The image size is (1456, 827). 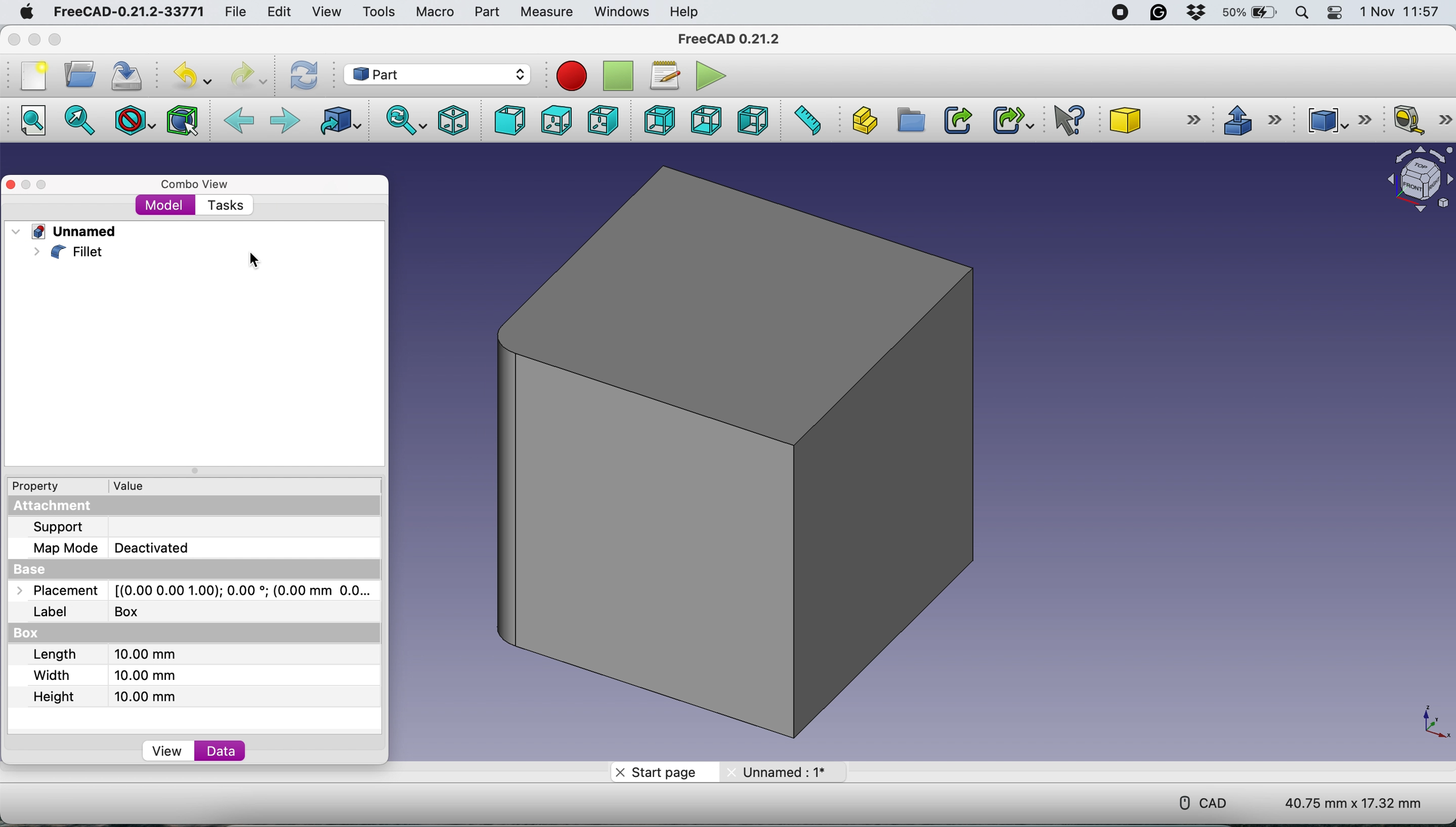 I want to click on refresh, so click(x=302, y=76).